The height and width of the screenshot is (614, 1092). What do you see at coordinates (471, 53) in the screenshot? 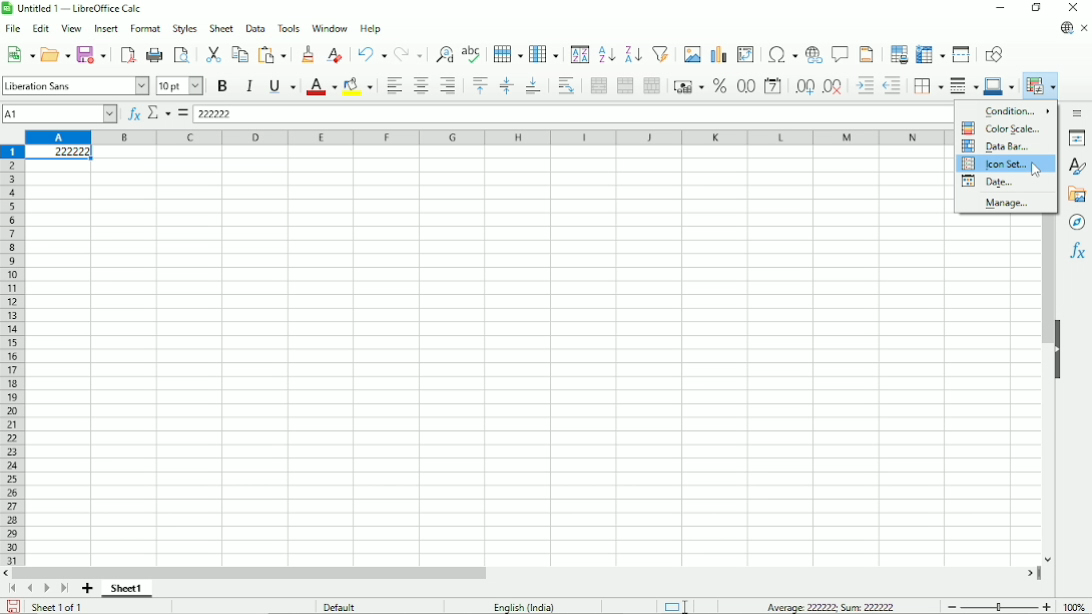
I see `Spell check` at bounding box center [471, 53].